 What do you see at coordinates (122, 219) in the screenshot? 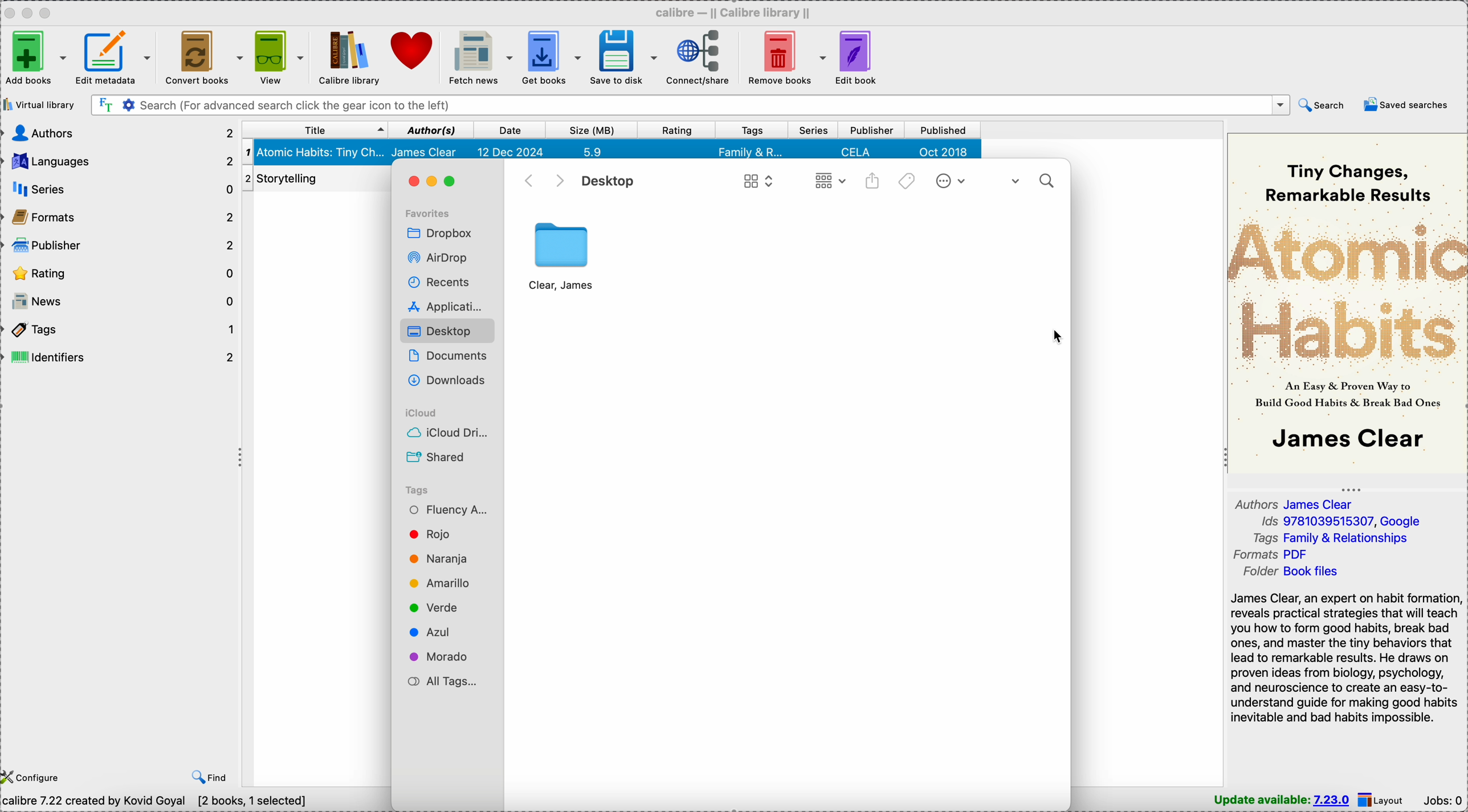
I see `formats` at bounding box center [122, 219].